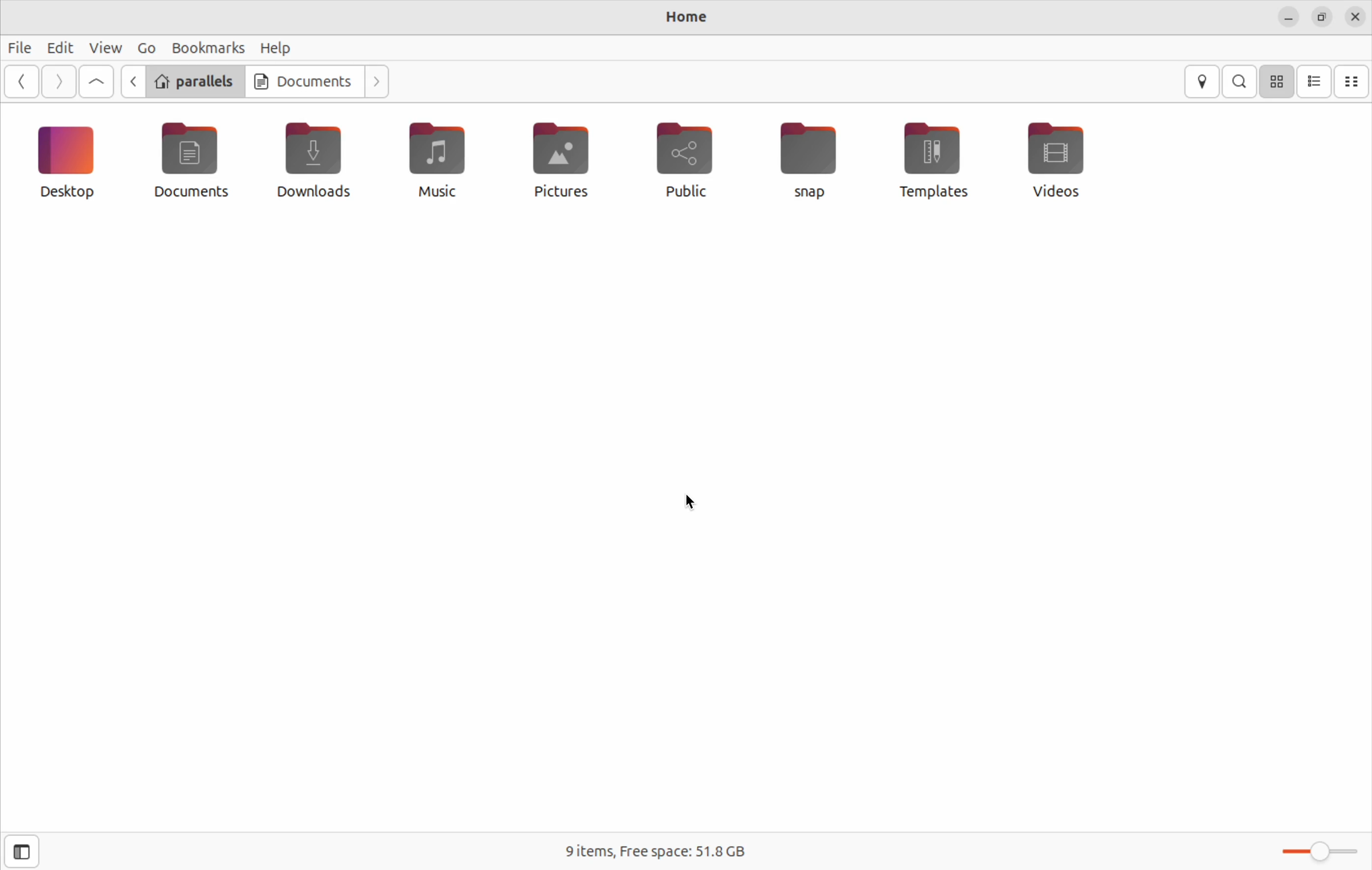 Image resolution: width=1372 pixels, height=870 pixels. I want to click on cursor, so click(697, 503).